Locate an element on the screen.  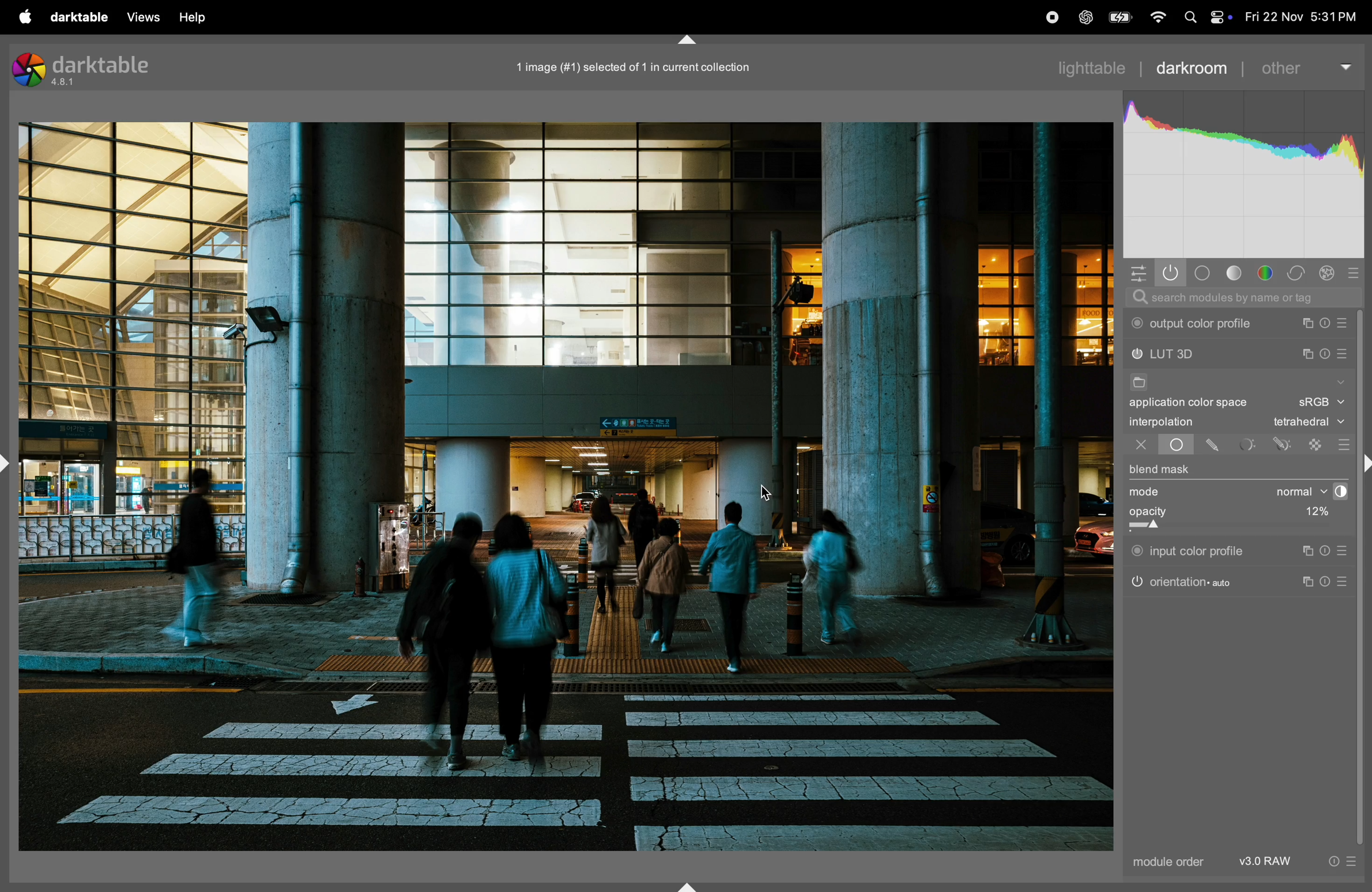
presets is located at coordinates (1344, 551).